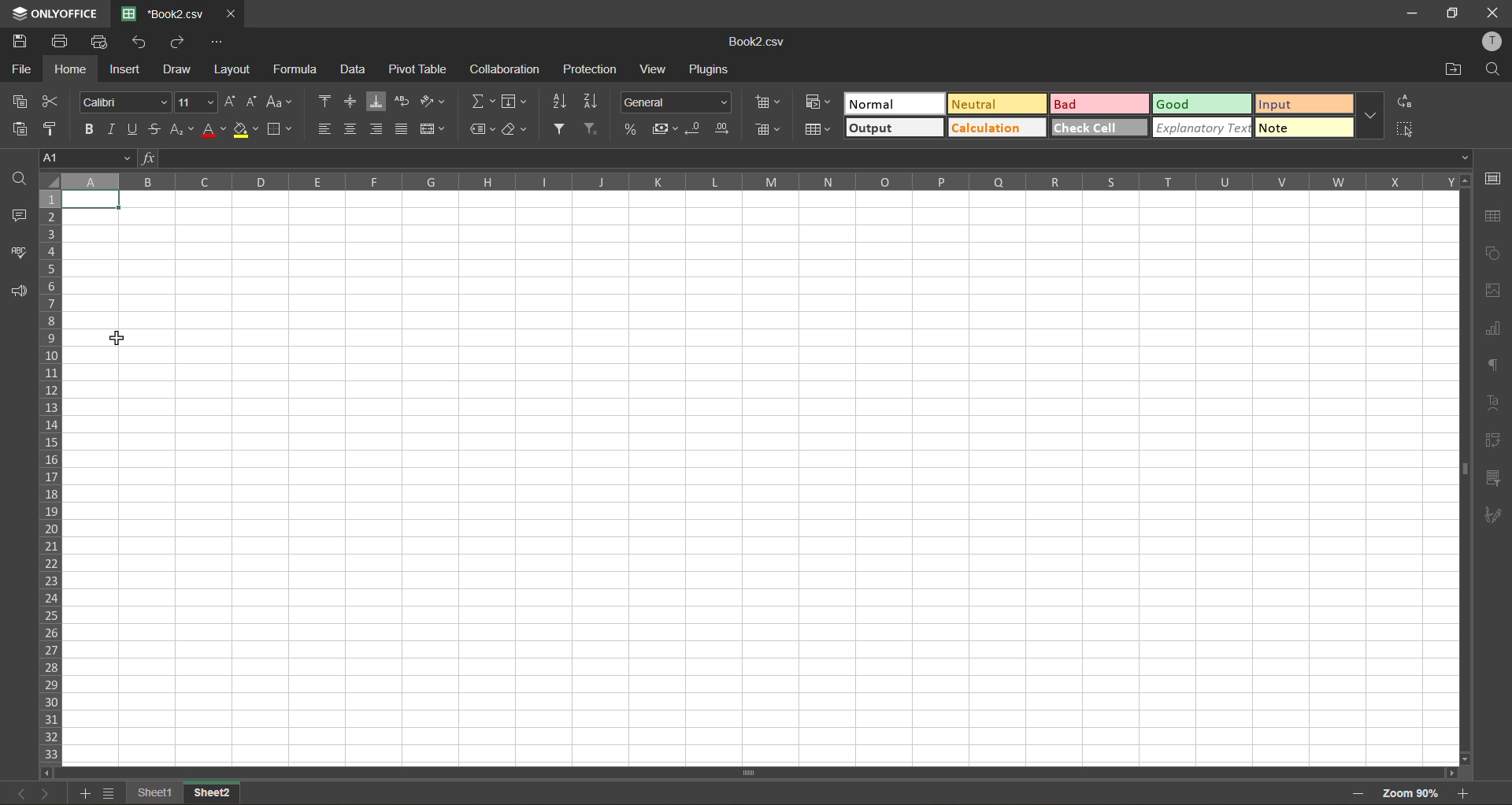 The width and height of the screenshot is (1512, 805). I want to click on merge and center, so click(435, 129).